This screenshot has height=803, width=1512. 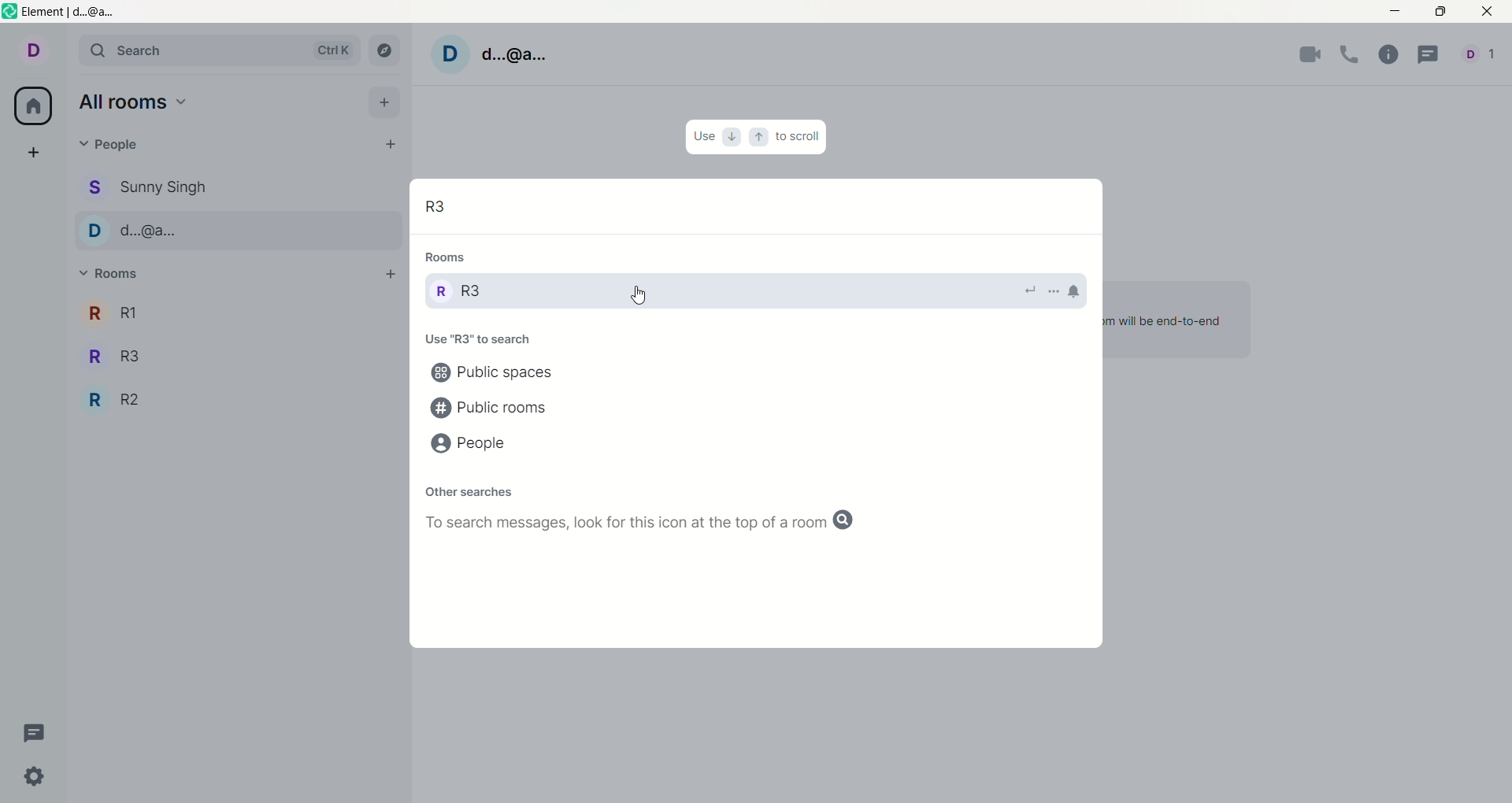 I want to click on rooms, so click(x=454, y=257).